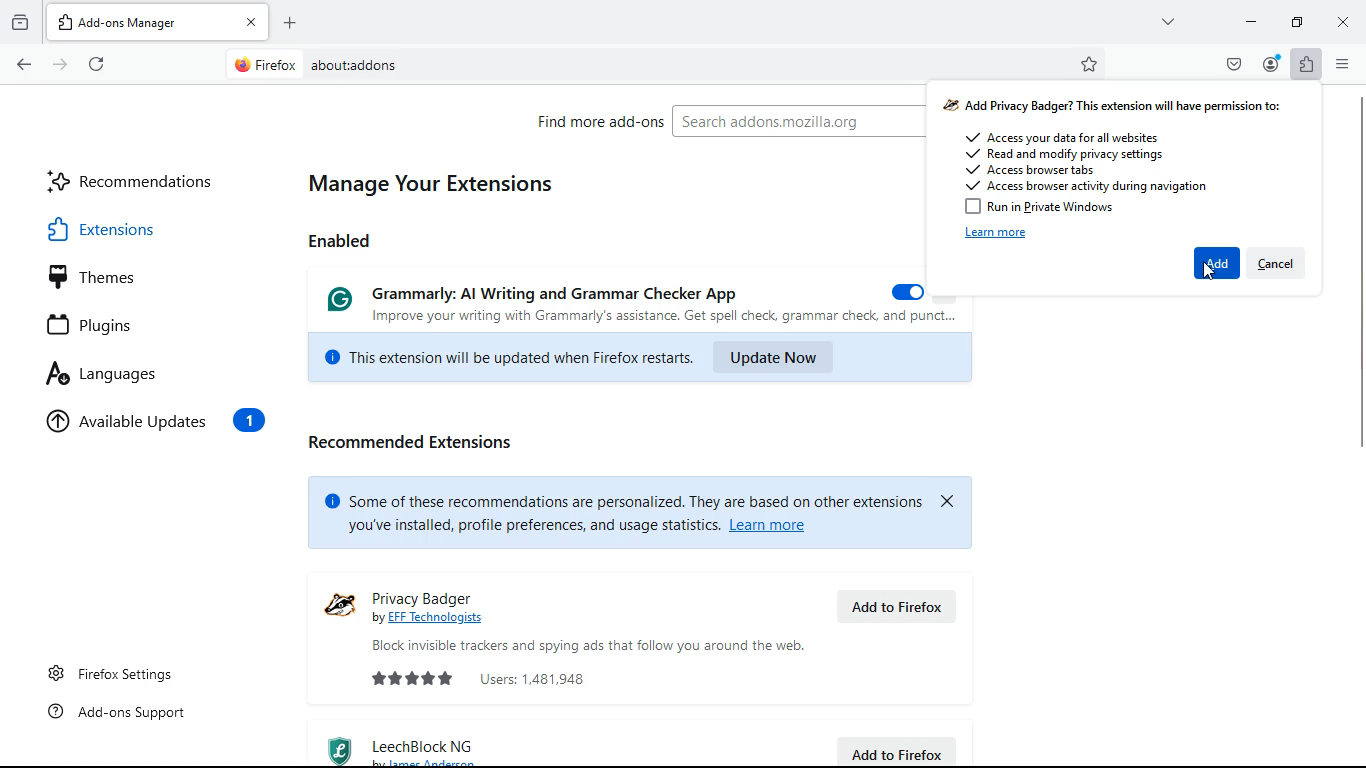  Describe the element at coordinates (524, 525) in the screenshot. I see `you've installed, profile preferences, and usage statistics. |` at that location.